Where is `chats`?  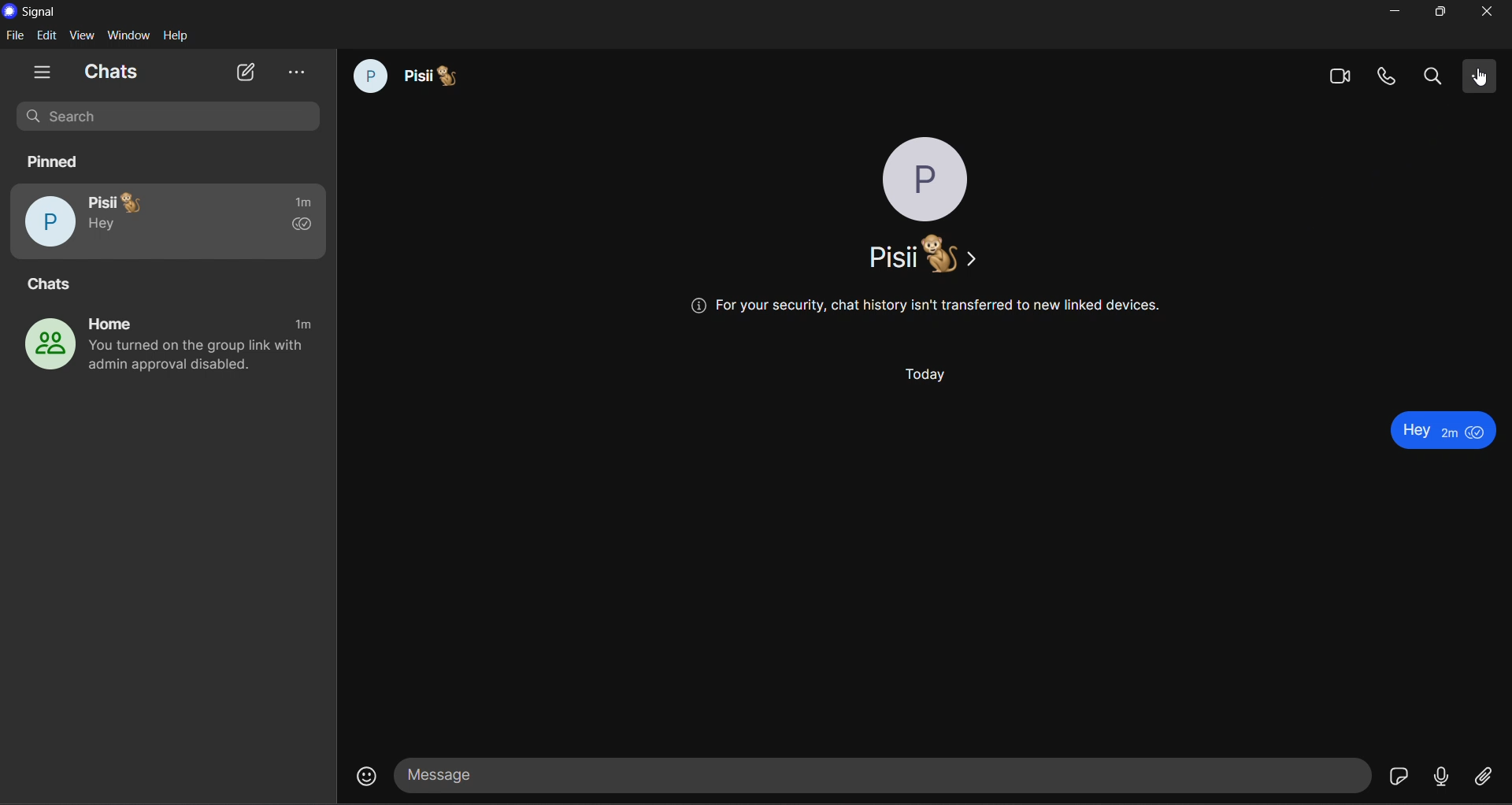 chats is located at coordinates (109, 69).